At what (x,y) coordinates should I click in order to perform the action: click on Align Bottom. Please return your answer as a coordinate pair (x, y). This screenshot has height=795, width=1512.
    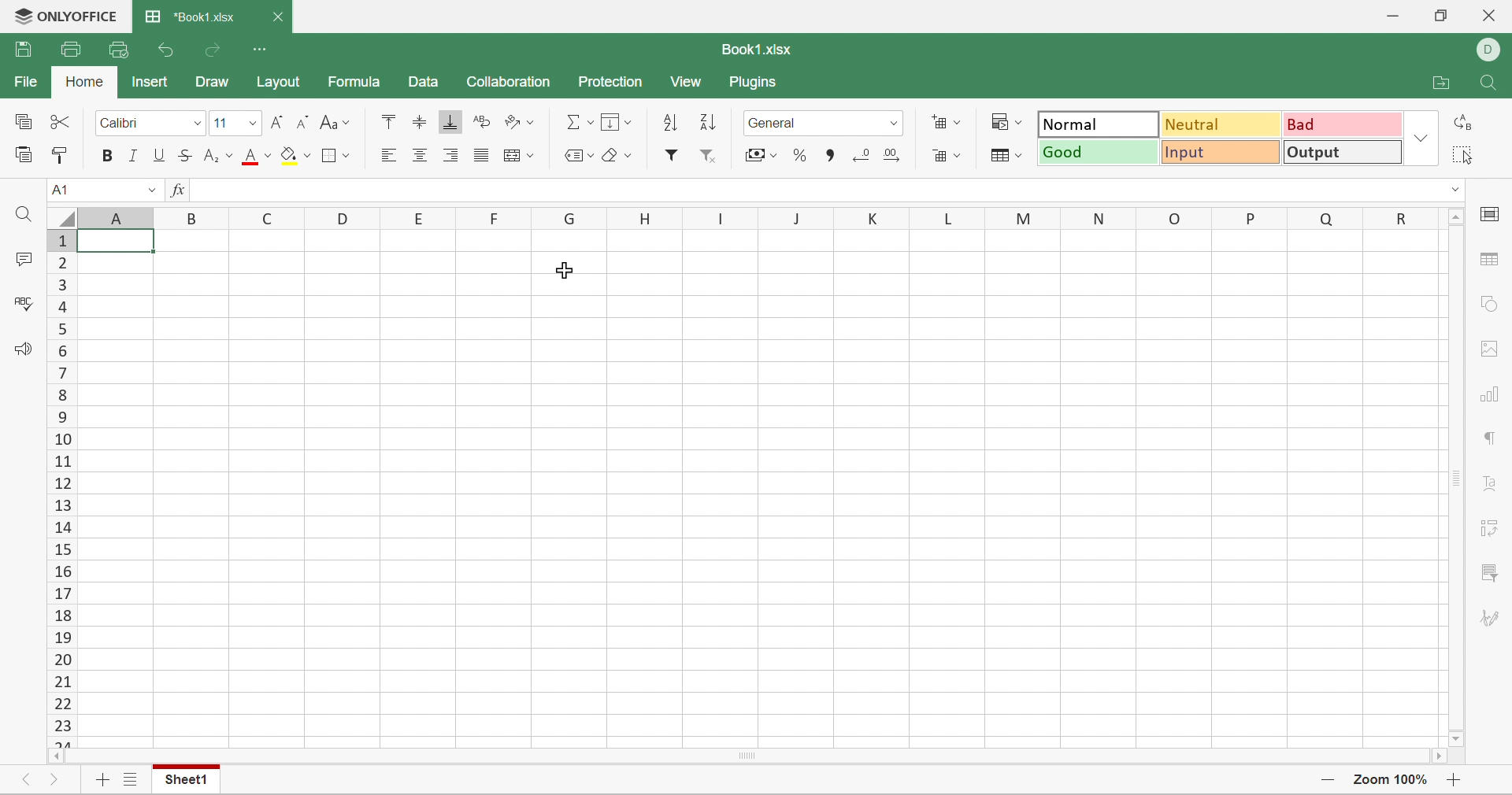
    Looking at the image, I should click on (452, 121).